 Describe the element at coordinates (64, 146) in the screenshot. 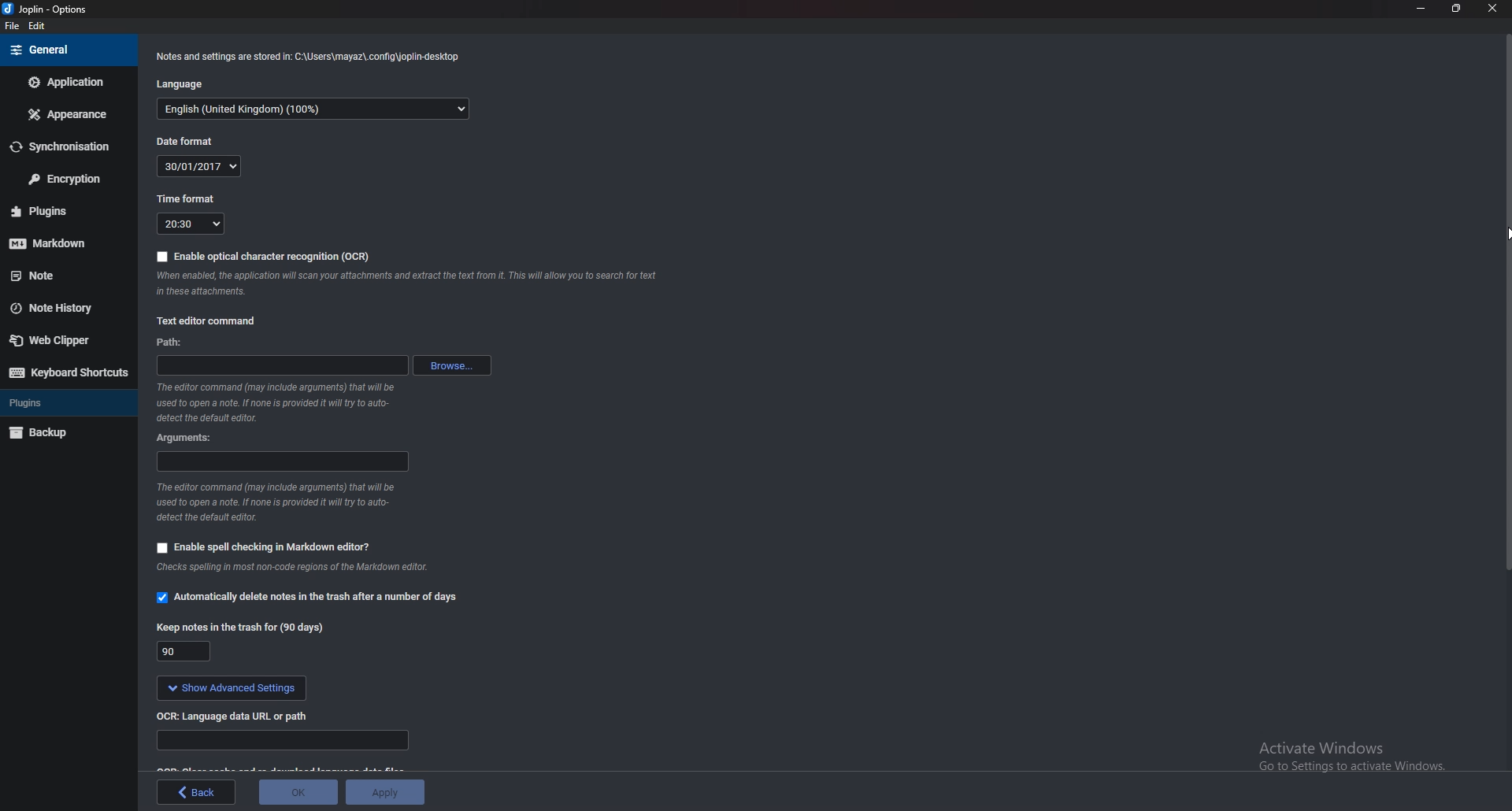

I see `Synchronization` at that location.